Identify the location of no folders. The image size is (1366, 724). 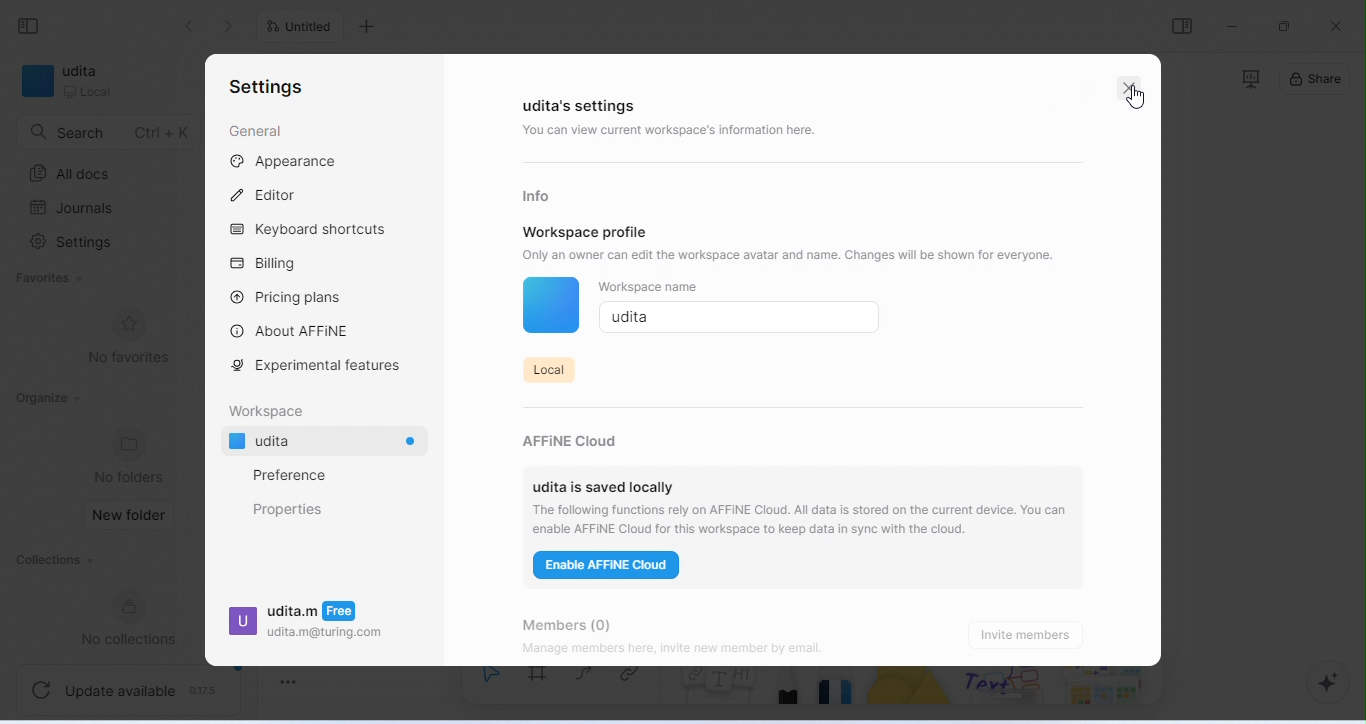
(132, 455).